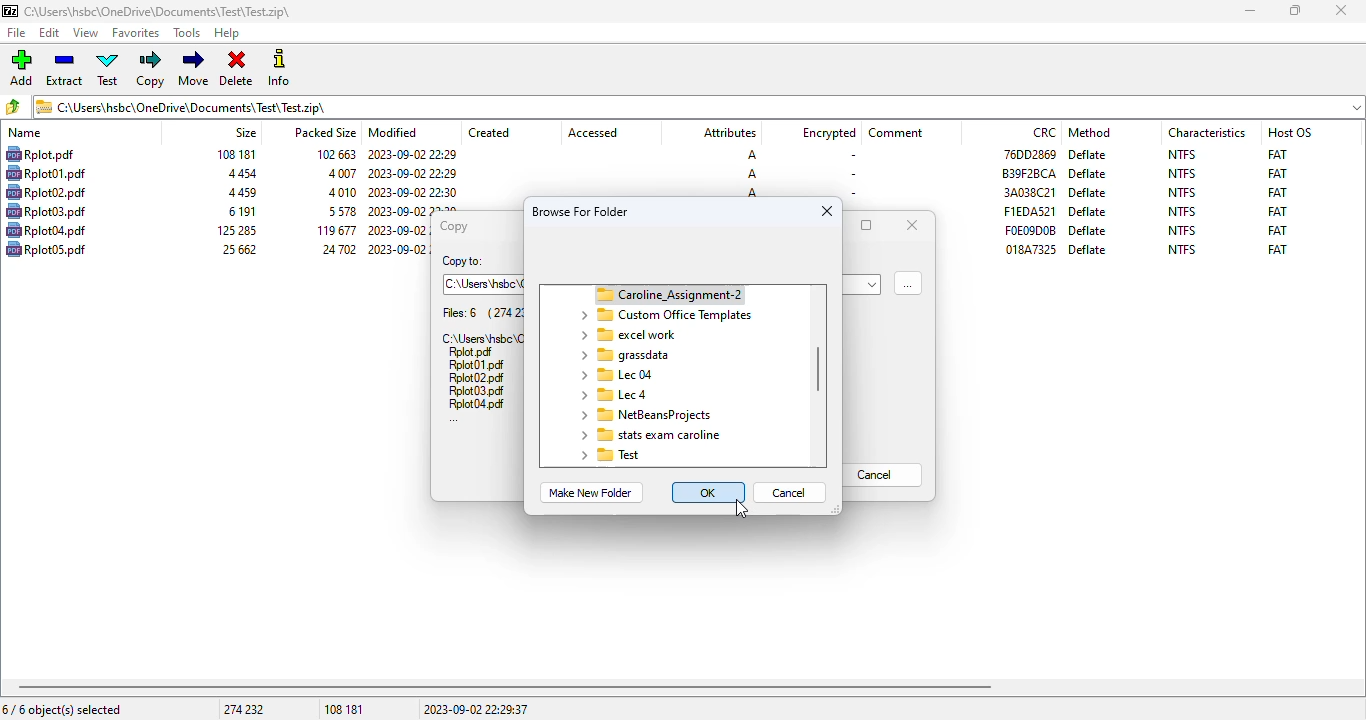  I want to click on packed size, so click(338, 211).